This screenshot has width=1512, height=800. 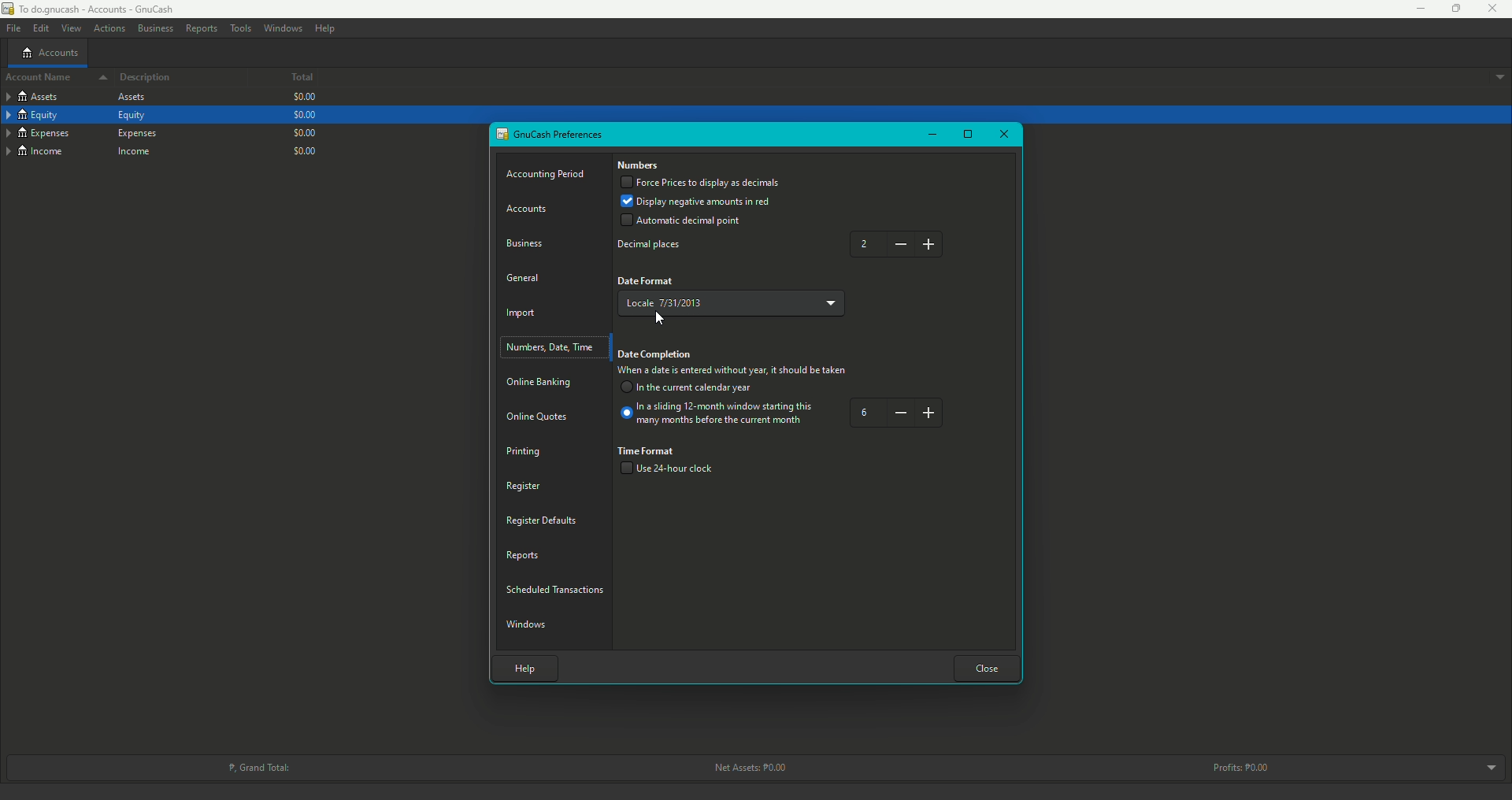 What do you see at coordinates (531, 209) in the screenshot?
I see `Accounts` at bounding box center [531, 209].